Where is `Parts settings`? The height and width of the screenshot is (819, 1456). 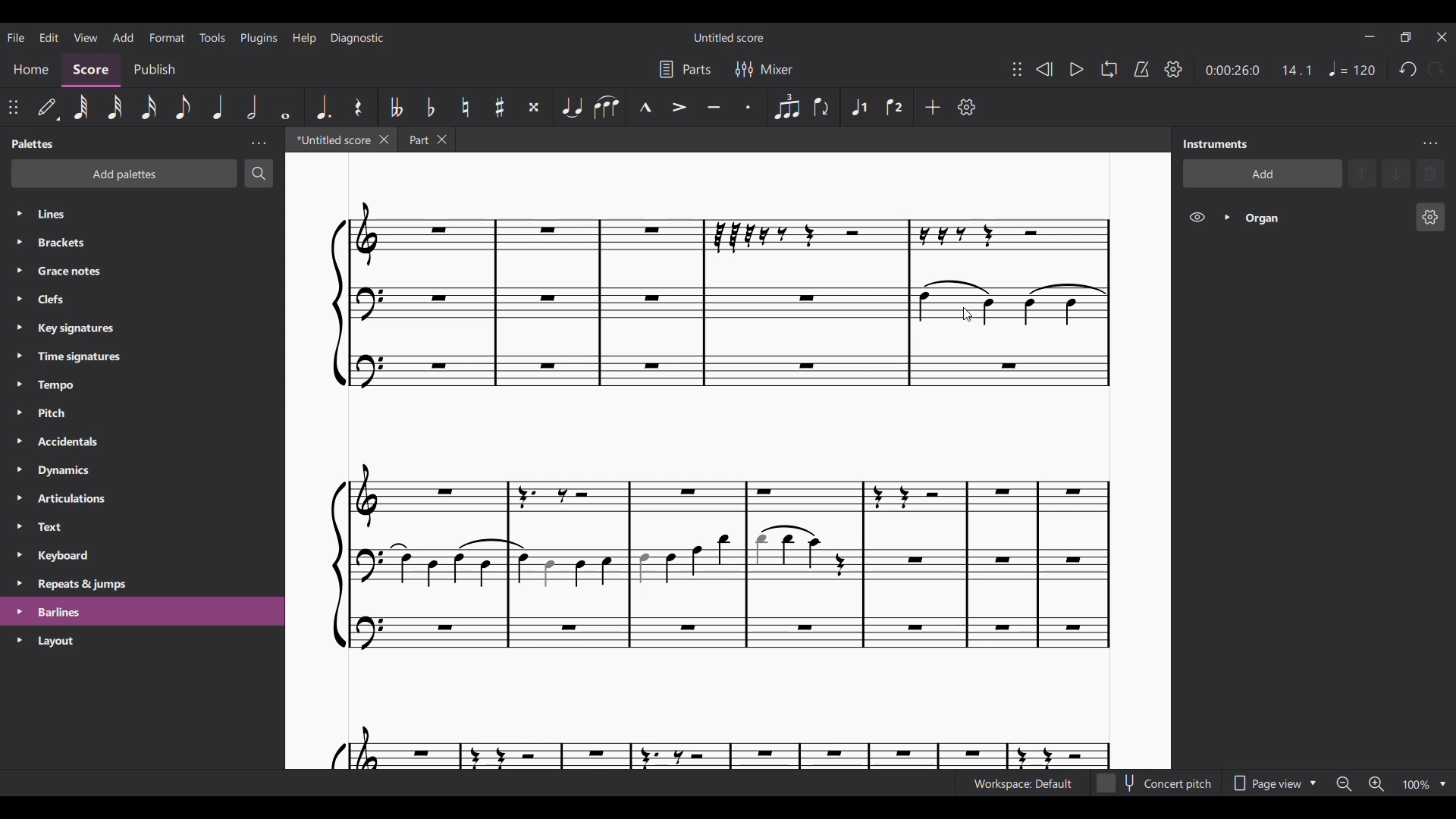 Parts settings is located at coordinates (685, 70).